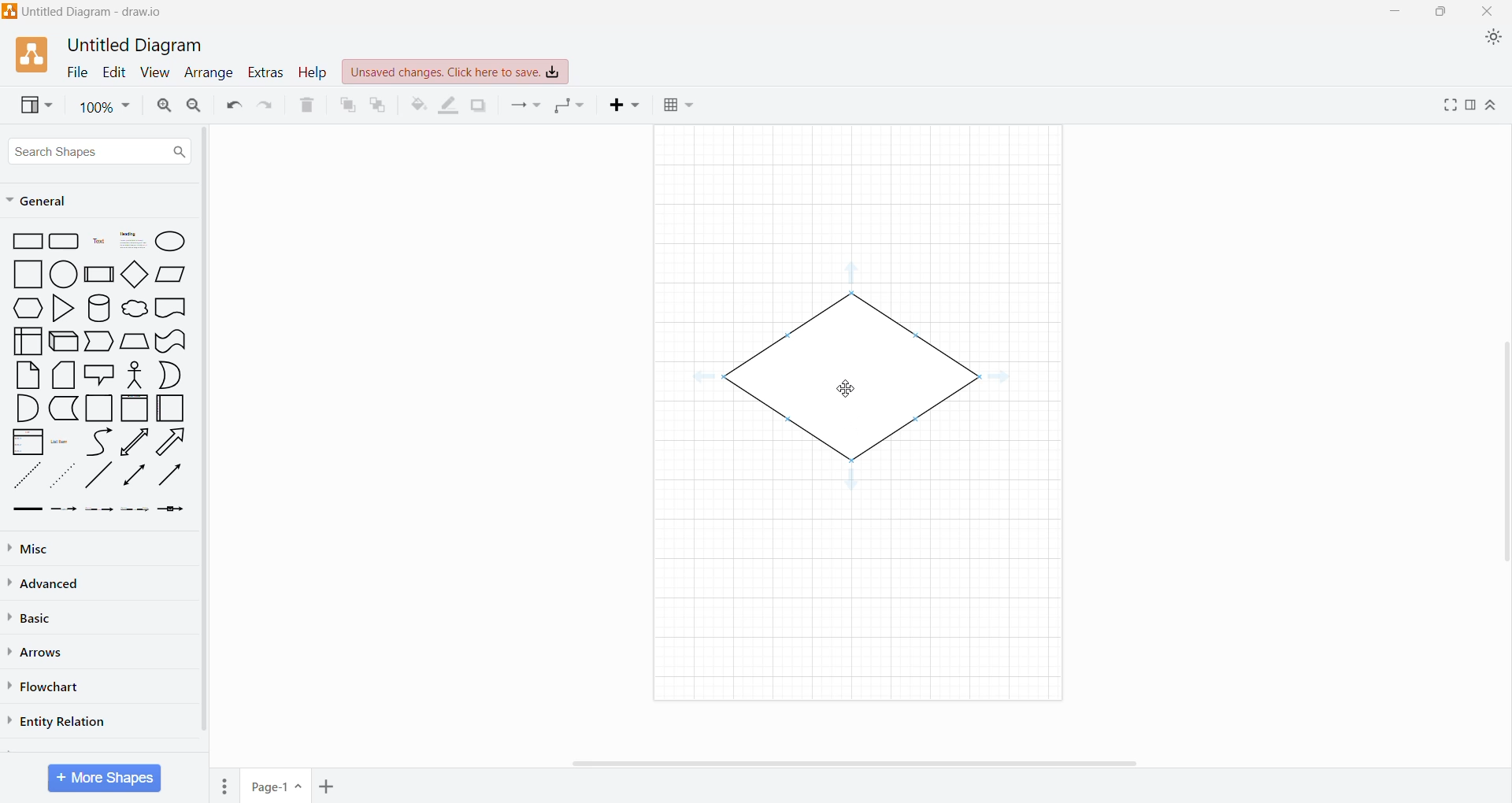  I want to click on Shapes, so click(100, 373).